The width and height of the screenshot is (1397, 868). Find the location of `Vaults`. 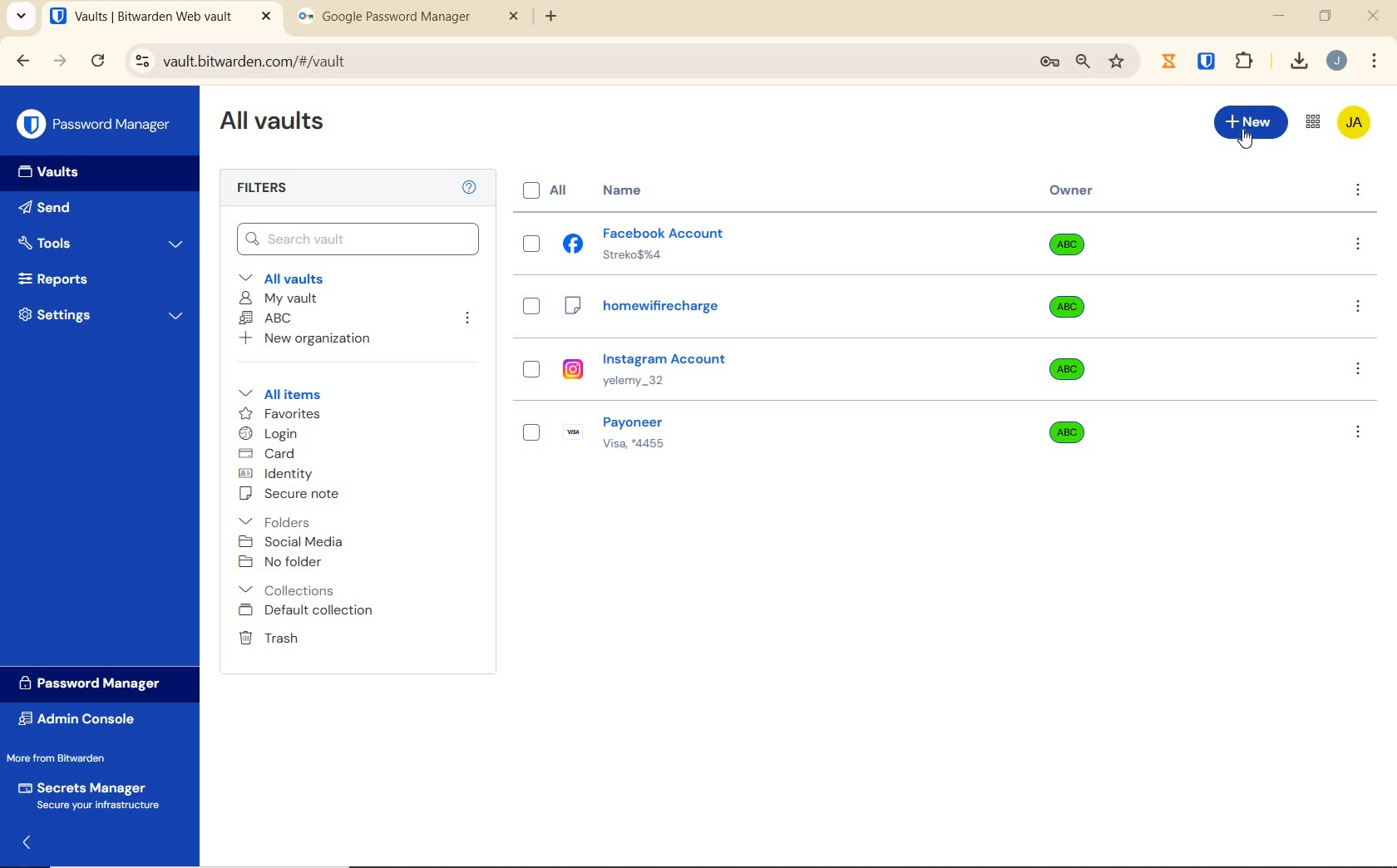

Vaults is located at coordinates (53, 172).